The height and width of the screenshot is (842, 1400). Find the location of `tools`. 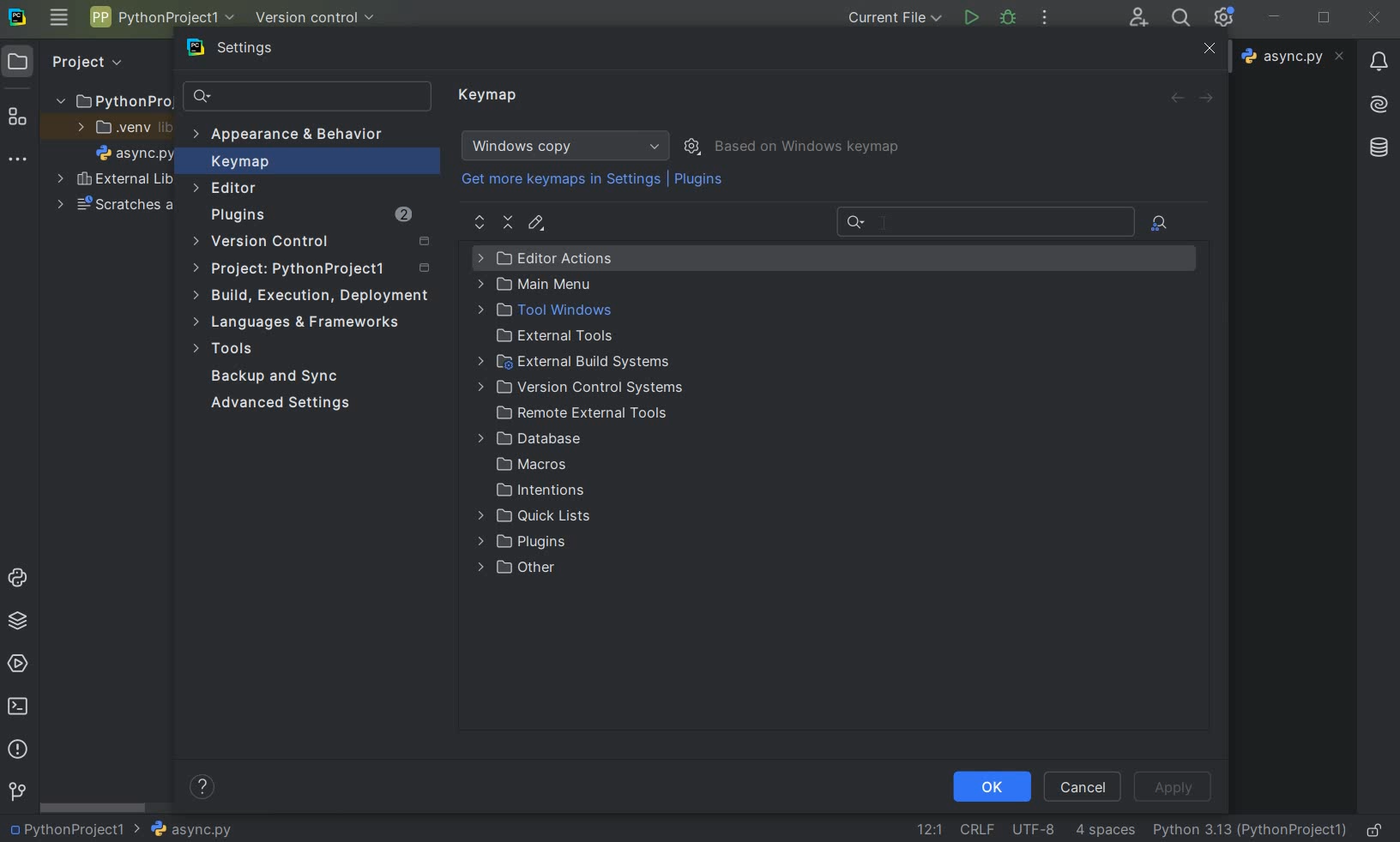

tools is located at coordinates (226, 351).